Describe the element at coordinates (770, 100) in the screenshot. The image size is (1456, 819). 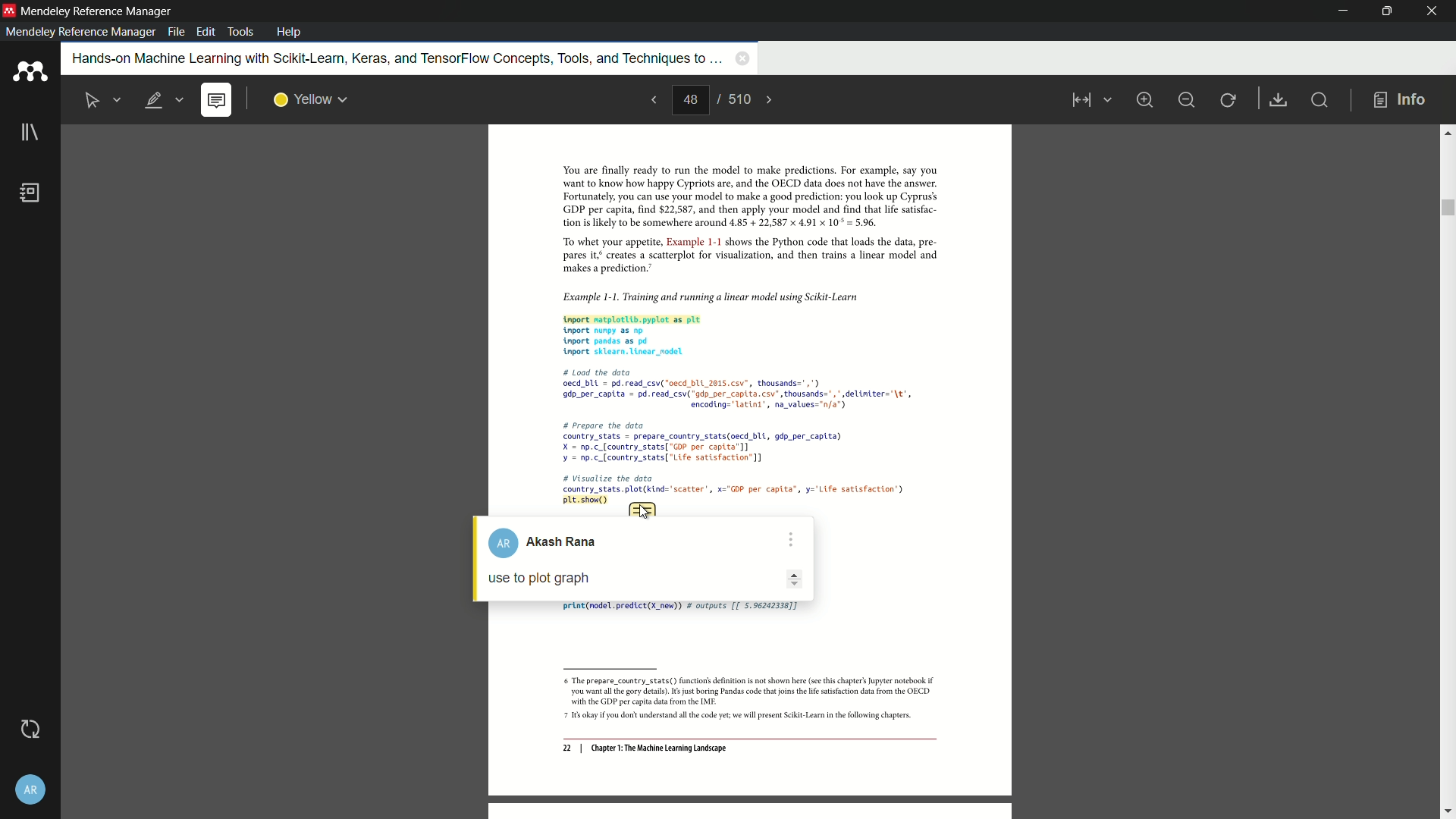
I see `next page` at that location.